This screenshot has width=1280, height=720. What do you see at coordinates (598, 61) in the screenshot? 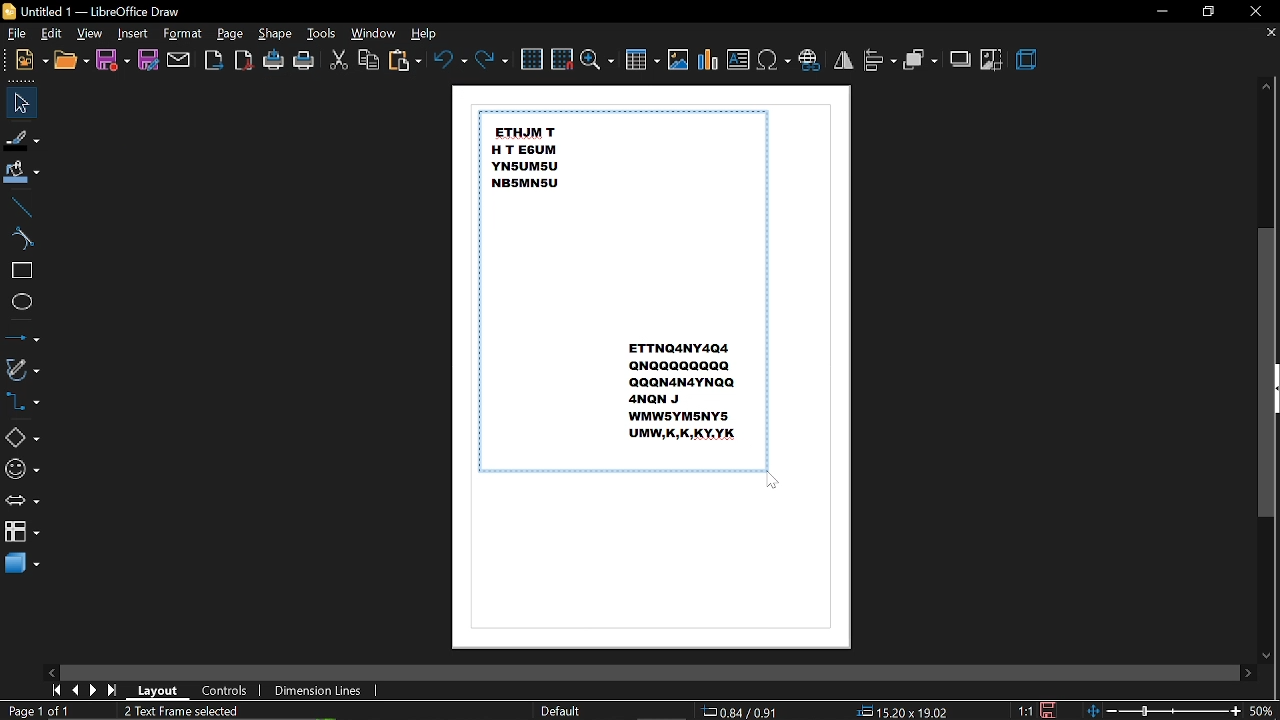
I see `zoom` at bounding box center [598, 61].